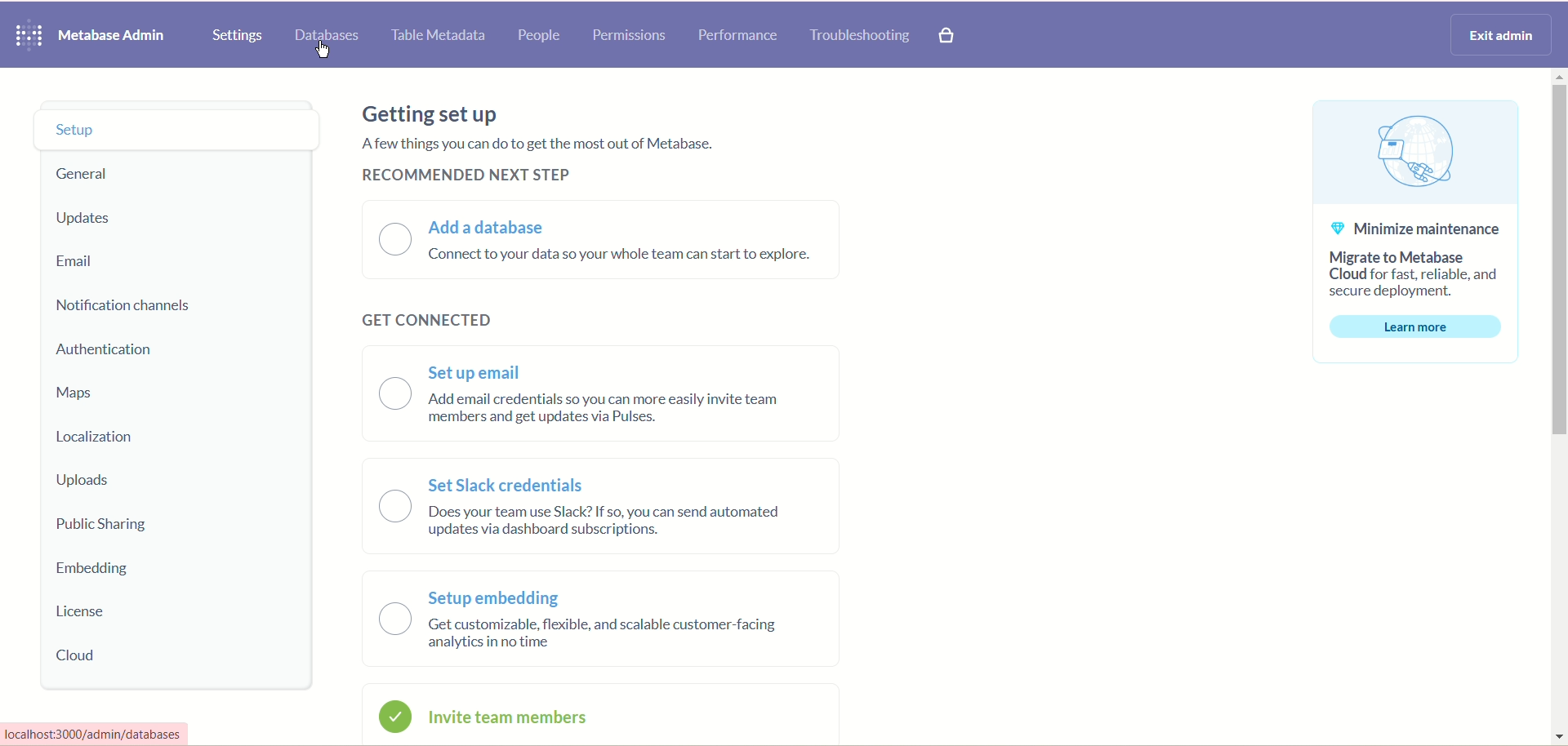 The width and height of the screenshot is (1568, 746). What do you see at coordinates (433, 116) in the screenshot?
I see `getting set up` at bounding box center [433, 116].